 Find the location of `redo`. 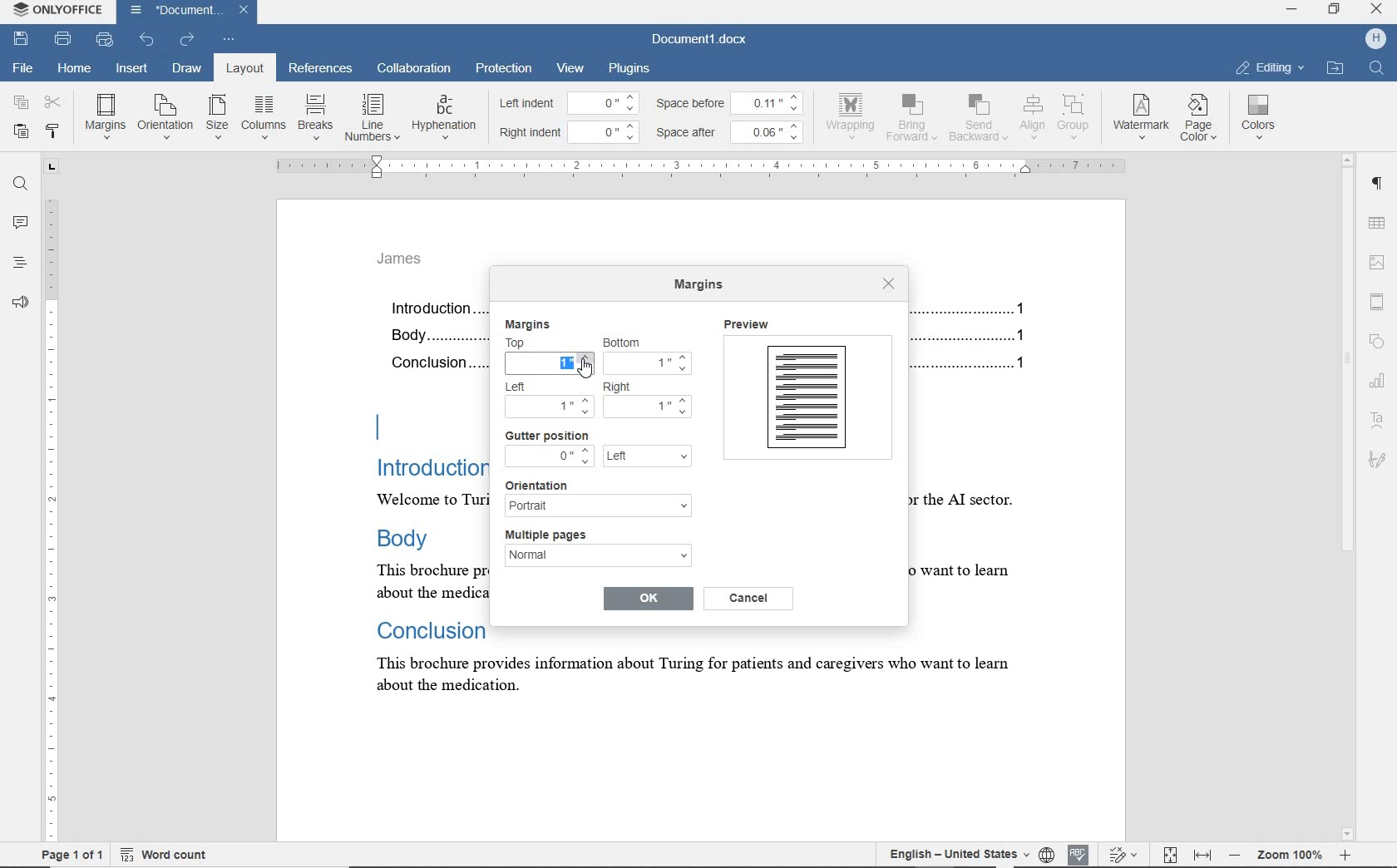

redo is located at coordinates (187, 40).